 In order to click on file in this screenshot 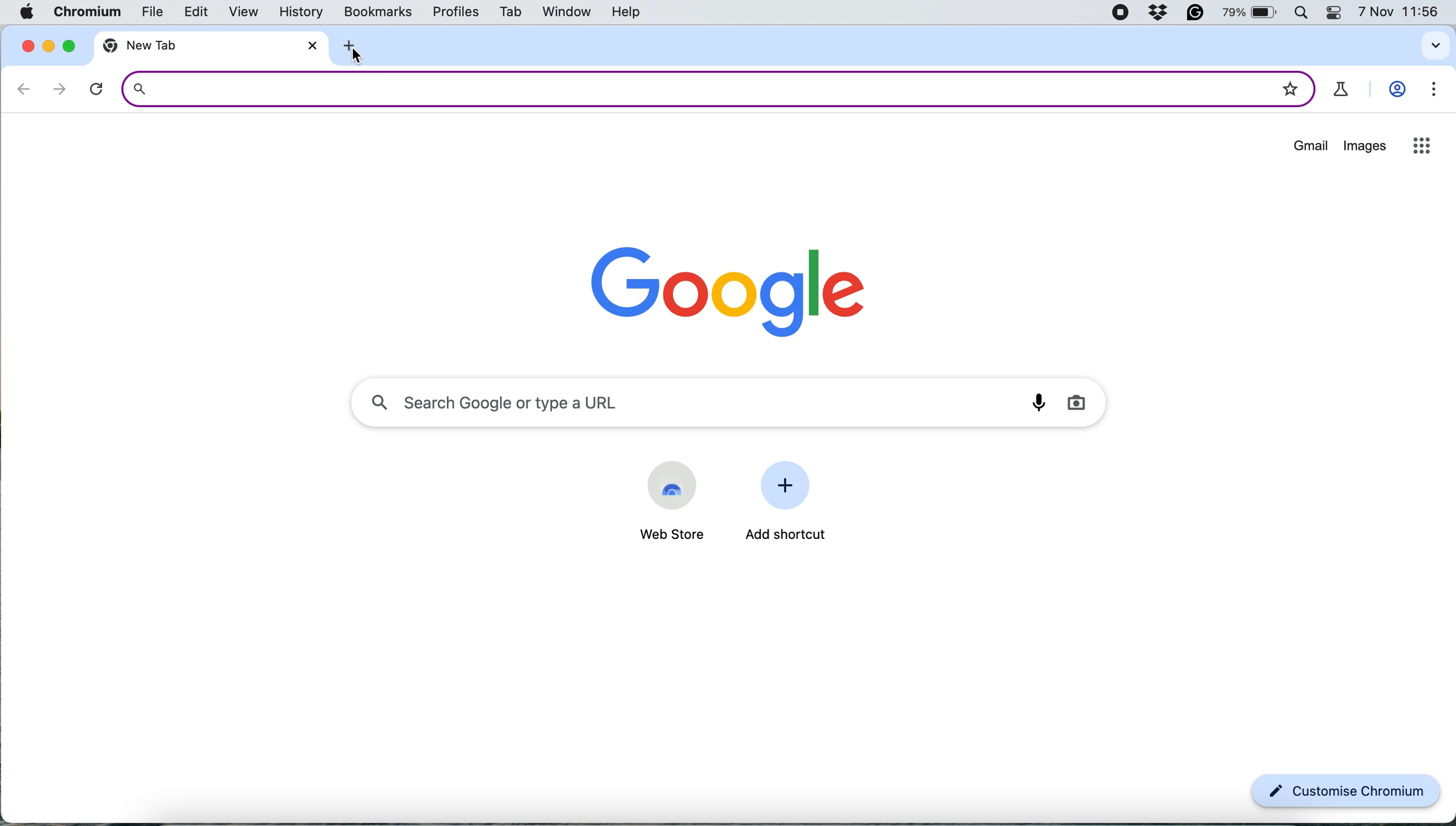, I will do `click(145, 14)`.